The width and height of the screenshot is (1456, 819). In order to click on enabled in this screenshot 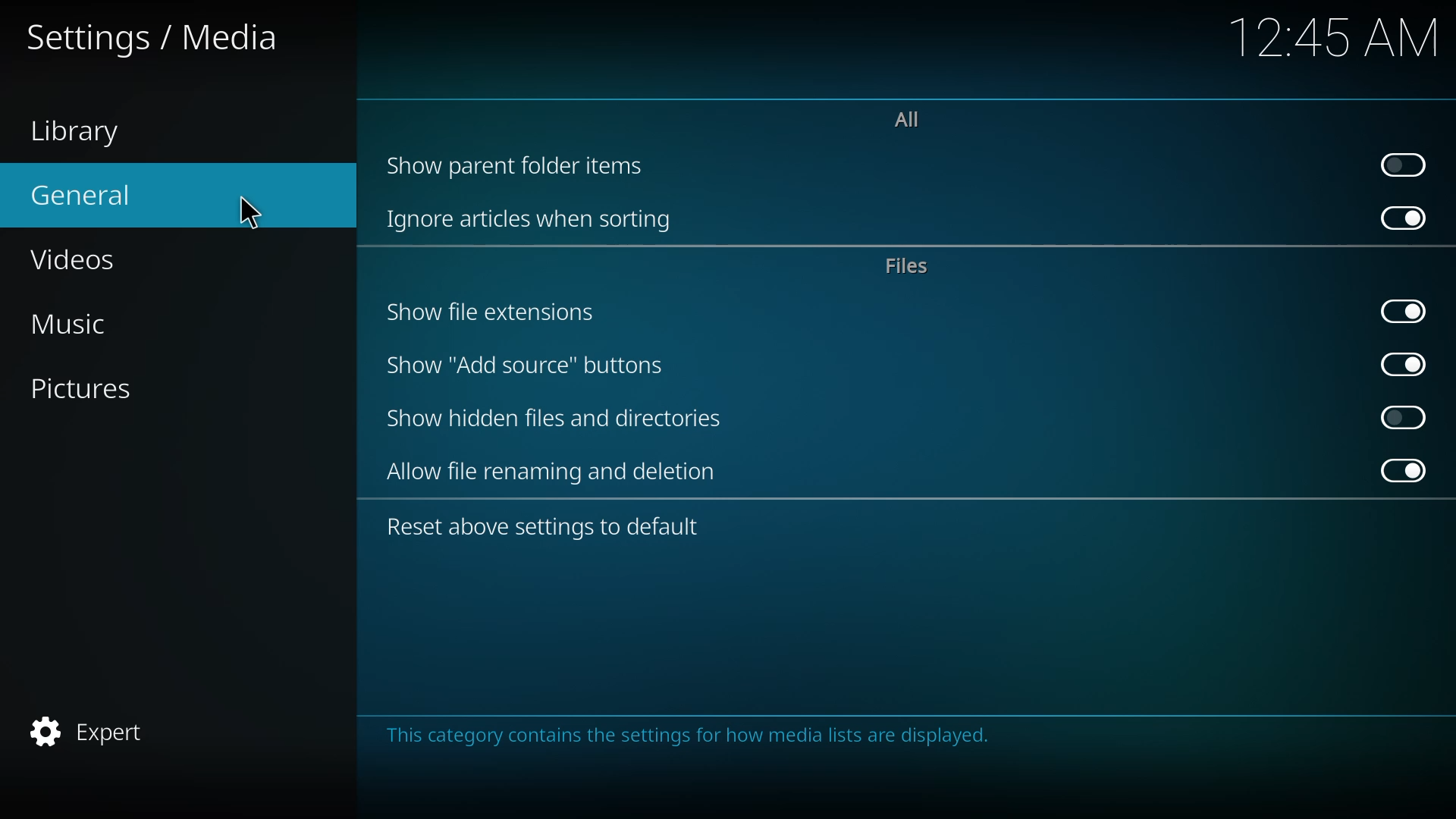, I will do `click(1402, 309)`.